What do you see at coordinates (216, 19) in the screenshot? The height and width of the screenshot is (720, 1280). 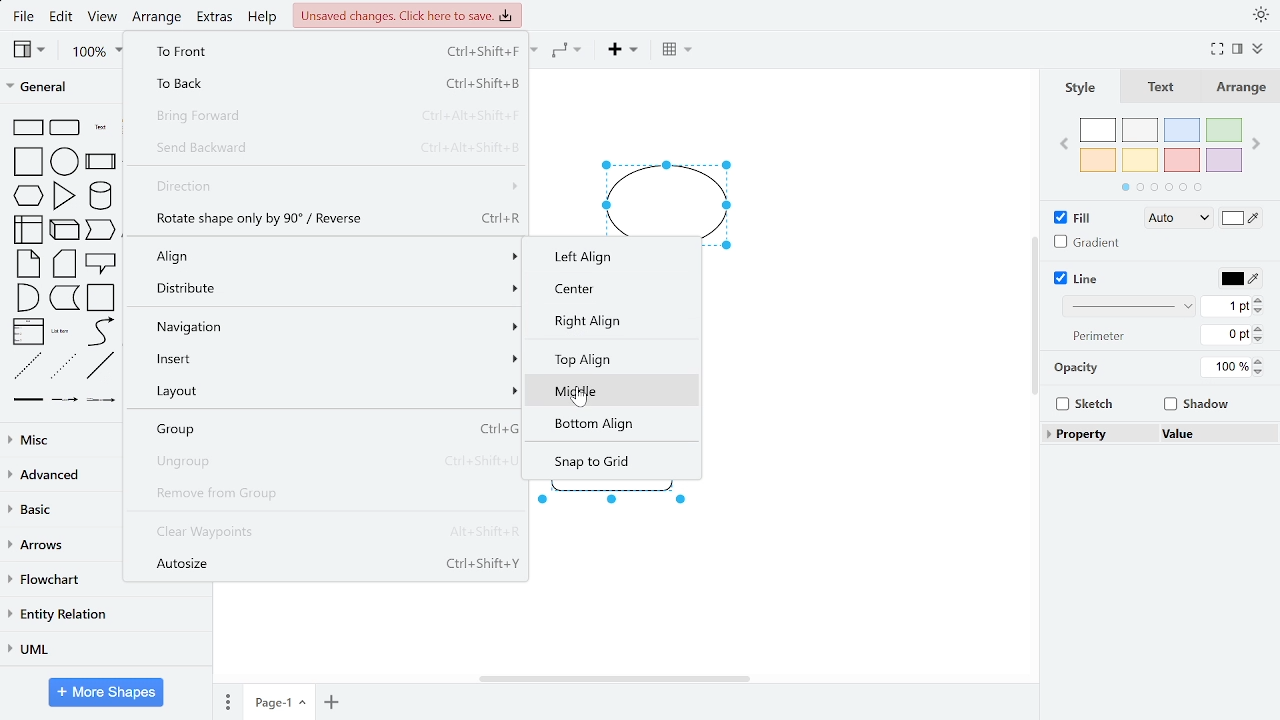 I see `extras` at bounding box center [216, 19].